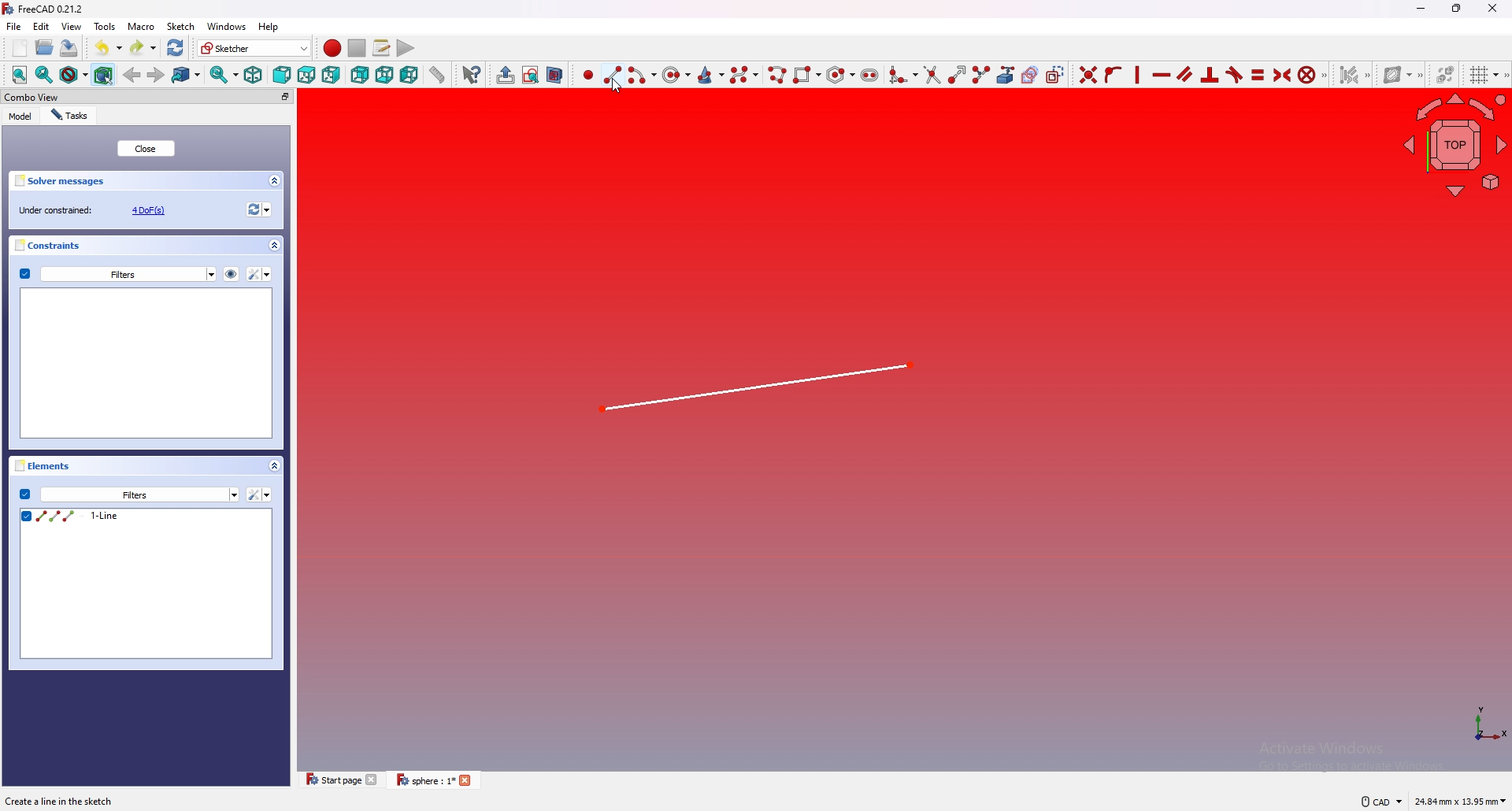  Describe the element at coordinates (147, 149) in the screenshot. I see `Close` at that location.